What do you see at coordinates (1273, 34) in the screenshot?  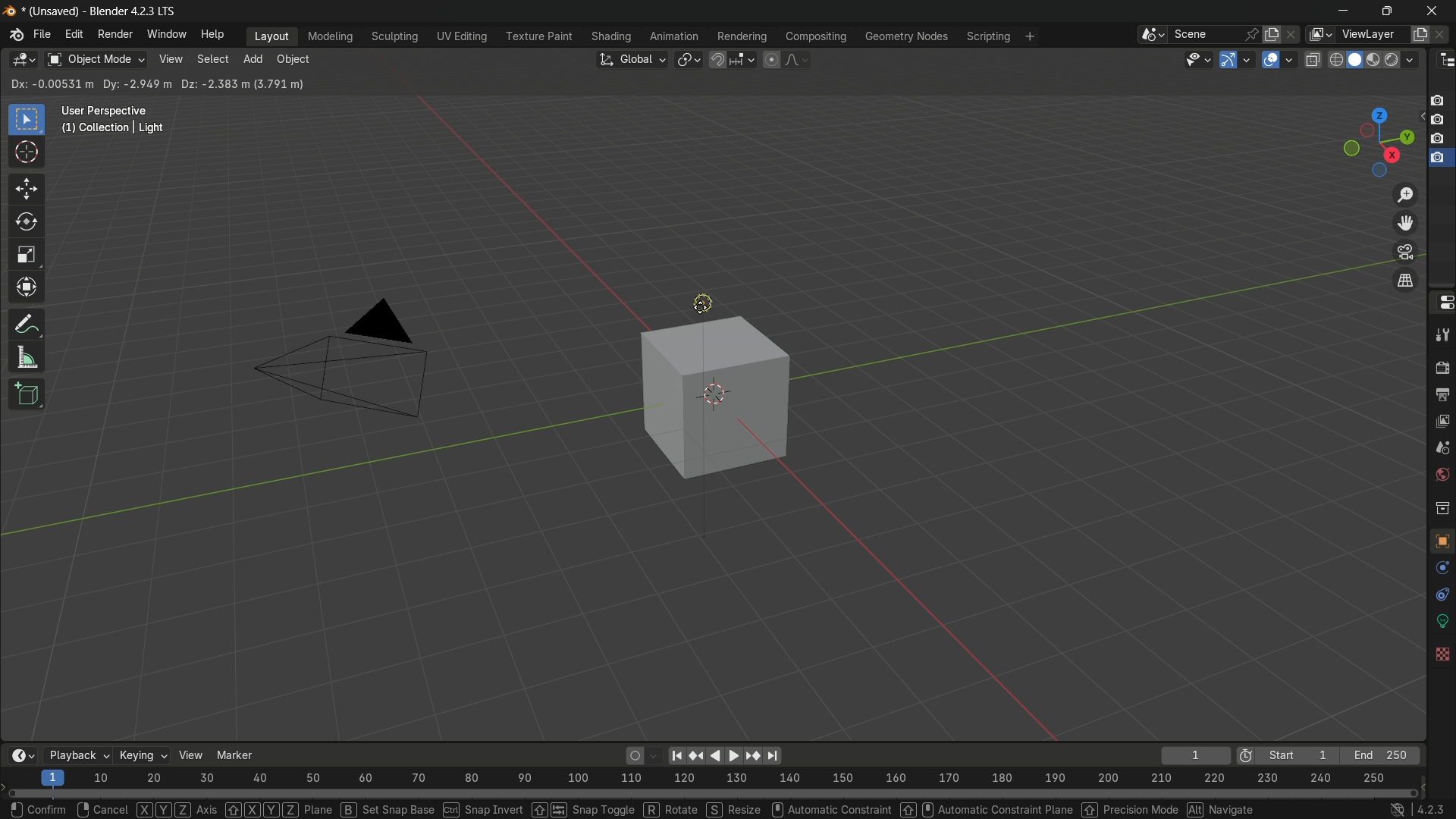 I see `add new scene` at bounding box center [1273, 34].